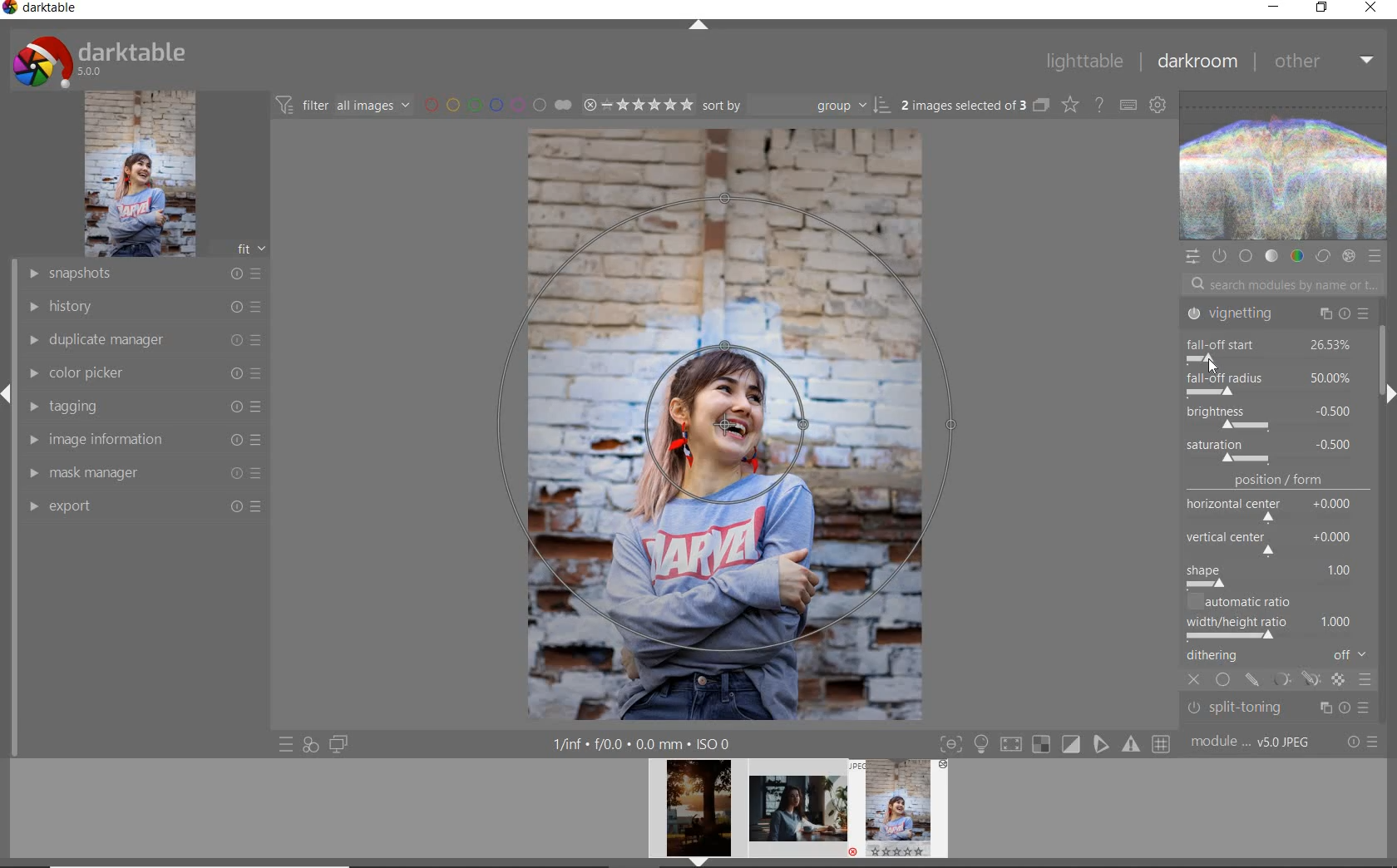 The width and height of the screenshot is (1397, 868). Describe the element at coordinates (1252, 742) in the screenshot. I see `module order` at that location.